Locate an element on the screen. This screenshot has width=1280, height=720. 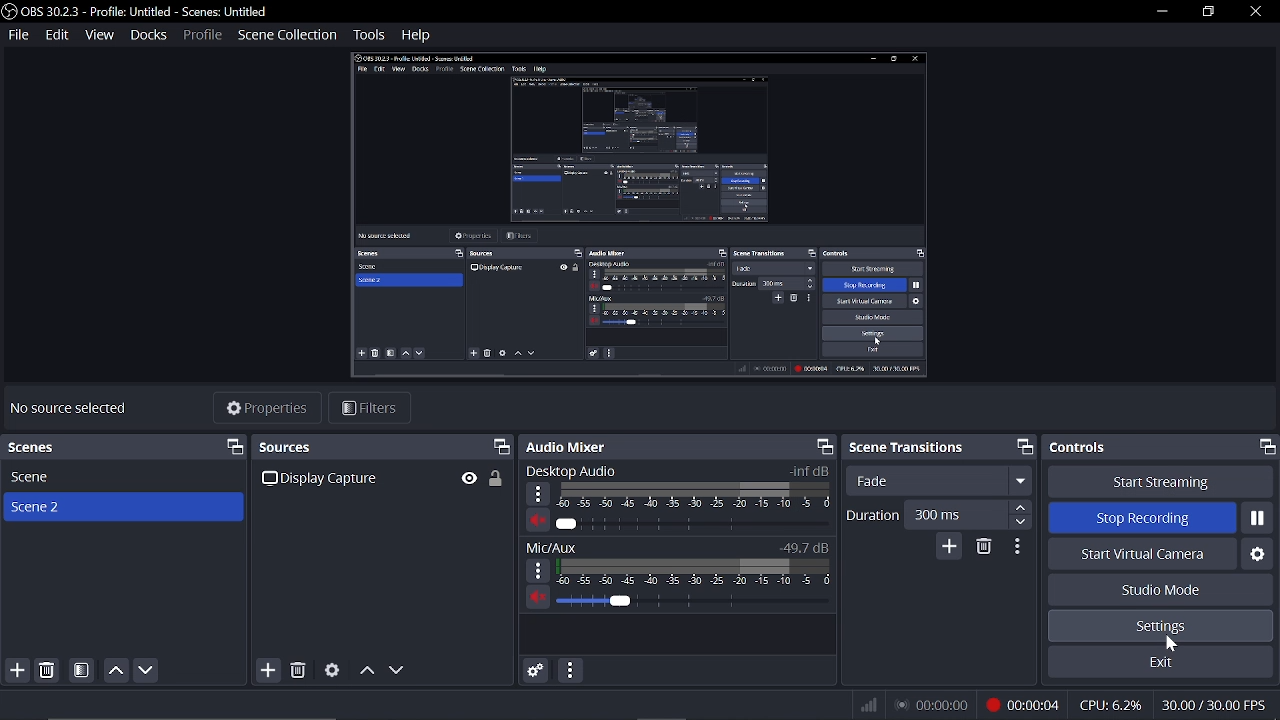
audio mixer menu is located at coordinates (570, 670).